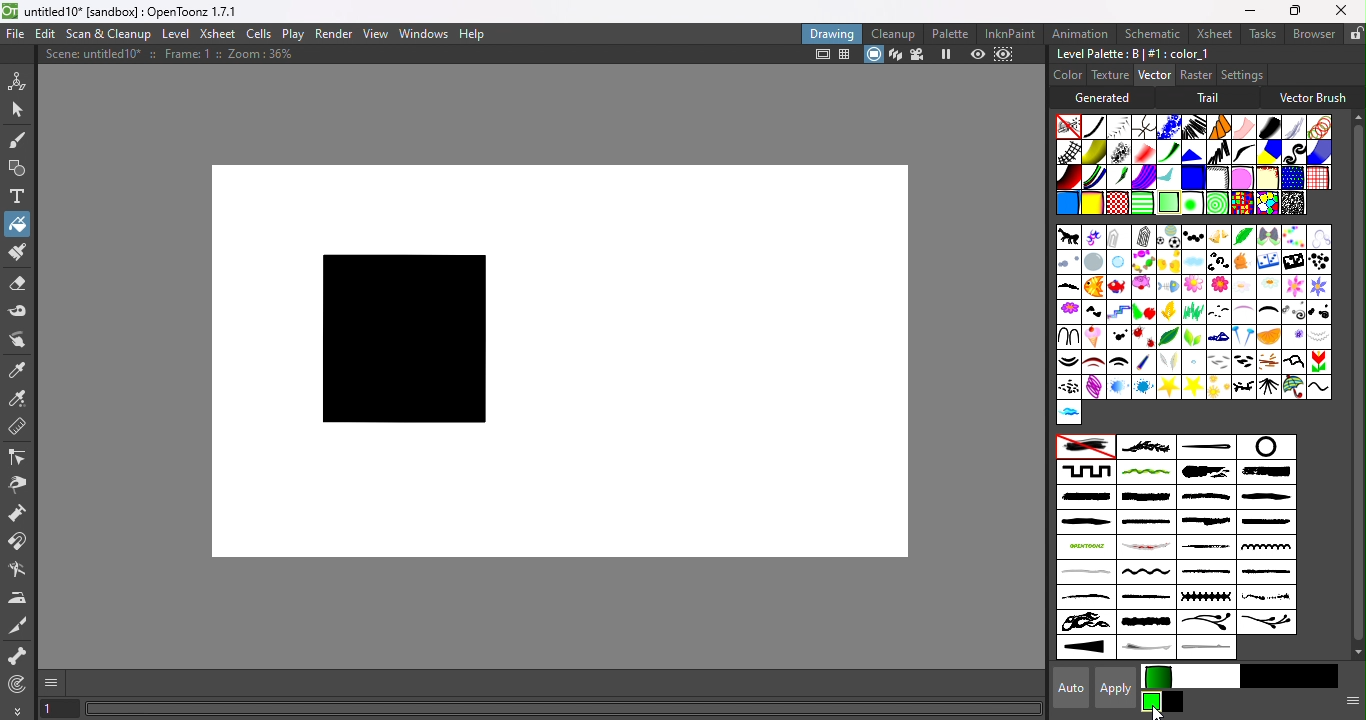  Describe the element at coordinates (18, 398) in the screenshot. I see `RGB picker tool` at that location.